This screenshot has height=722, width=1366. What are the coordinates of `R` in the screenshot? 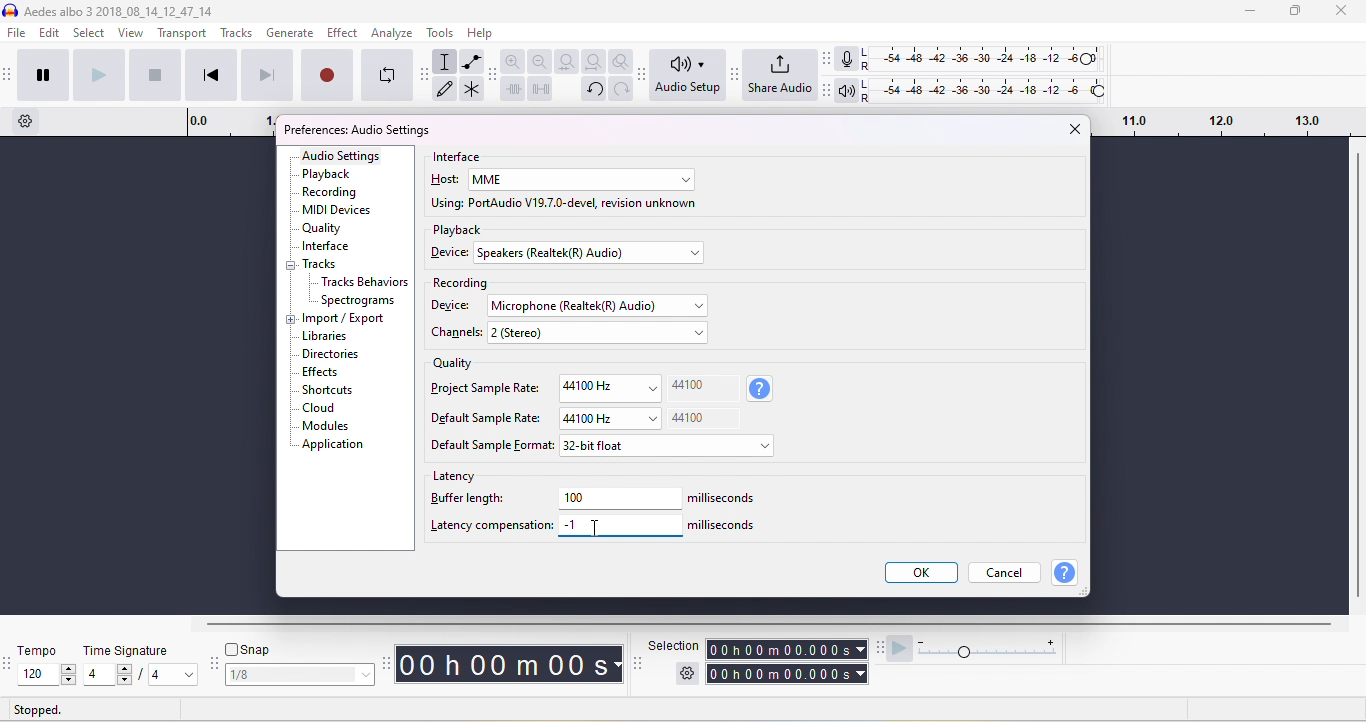 It's located at (867, 68).